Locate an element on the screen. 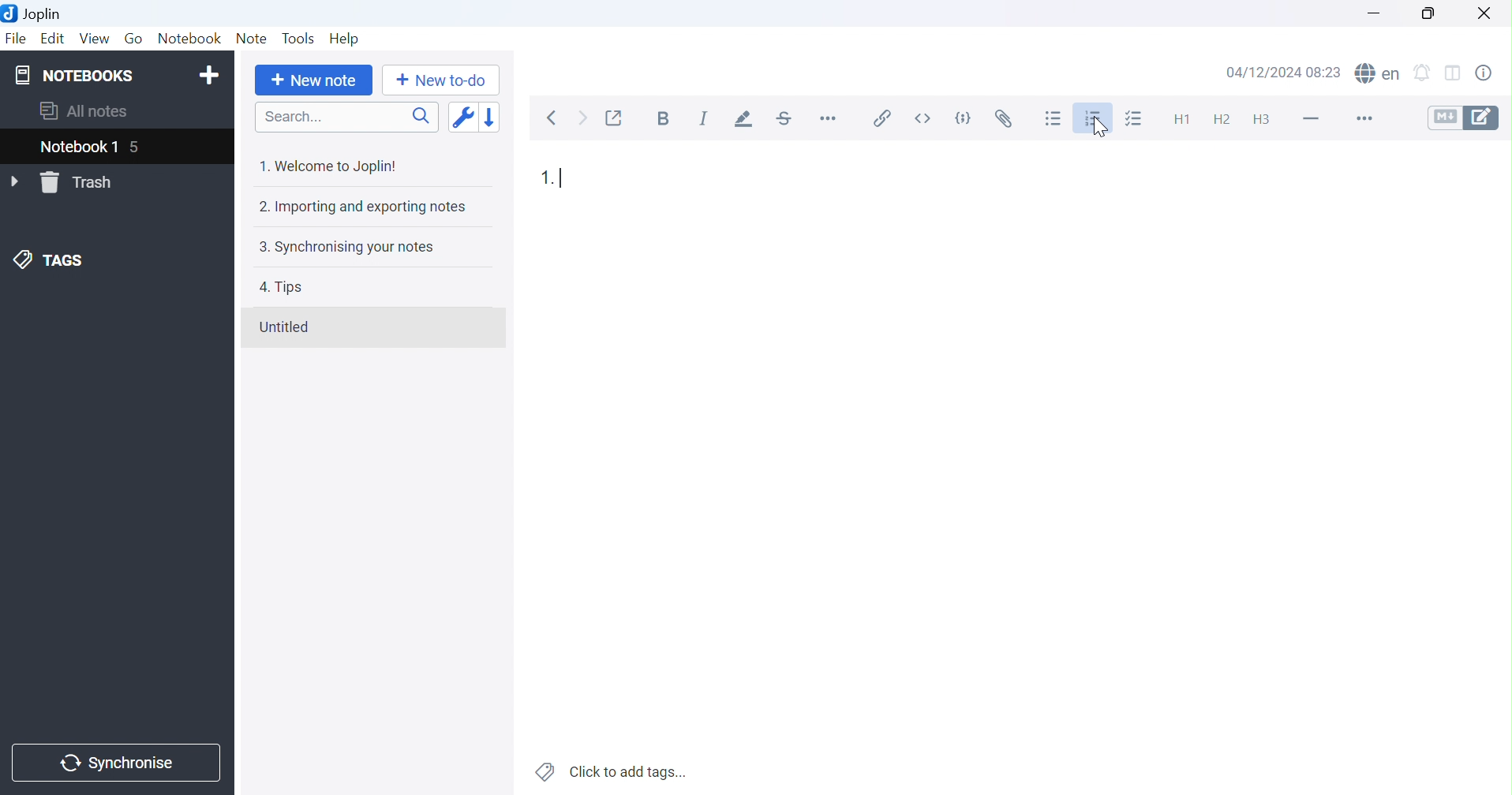 The width and height of the screenshot is (1512, 795). 04/12/2024 08:23 is located at coordinates (1283, 73).